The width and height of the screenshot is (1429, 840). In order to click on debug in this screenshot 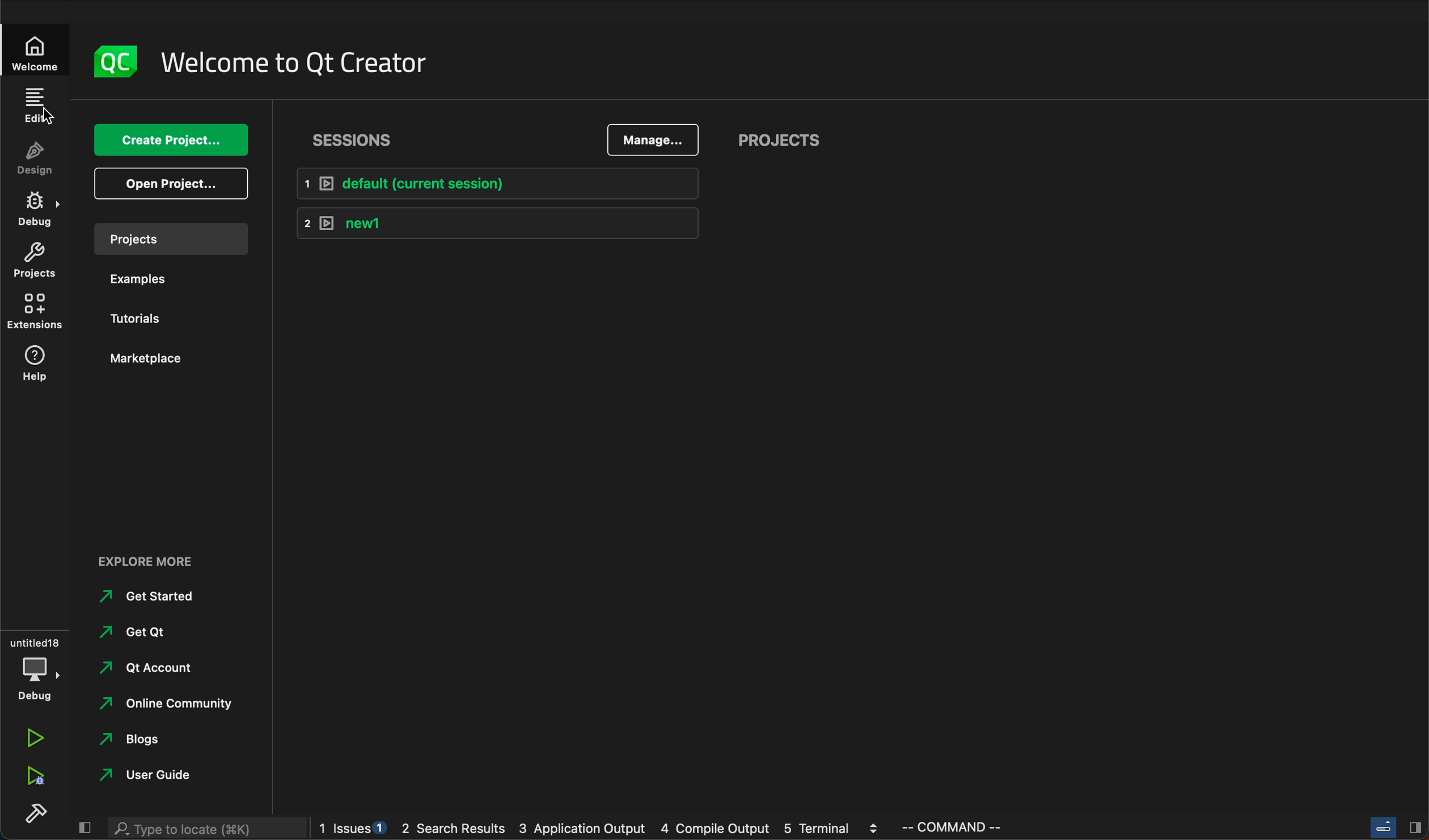, I will do `click(34, 667)`.